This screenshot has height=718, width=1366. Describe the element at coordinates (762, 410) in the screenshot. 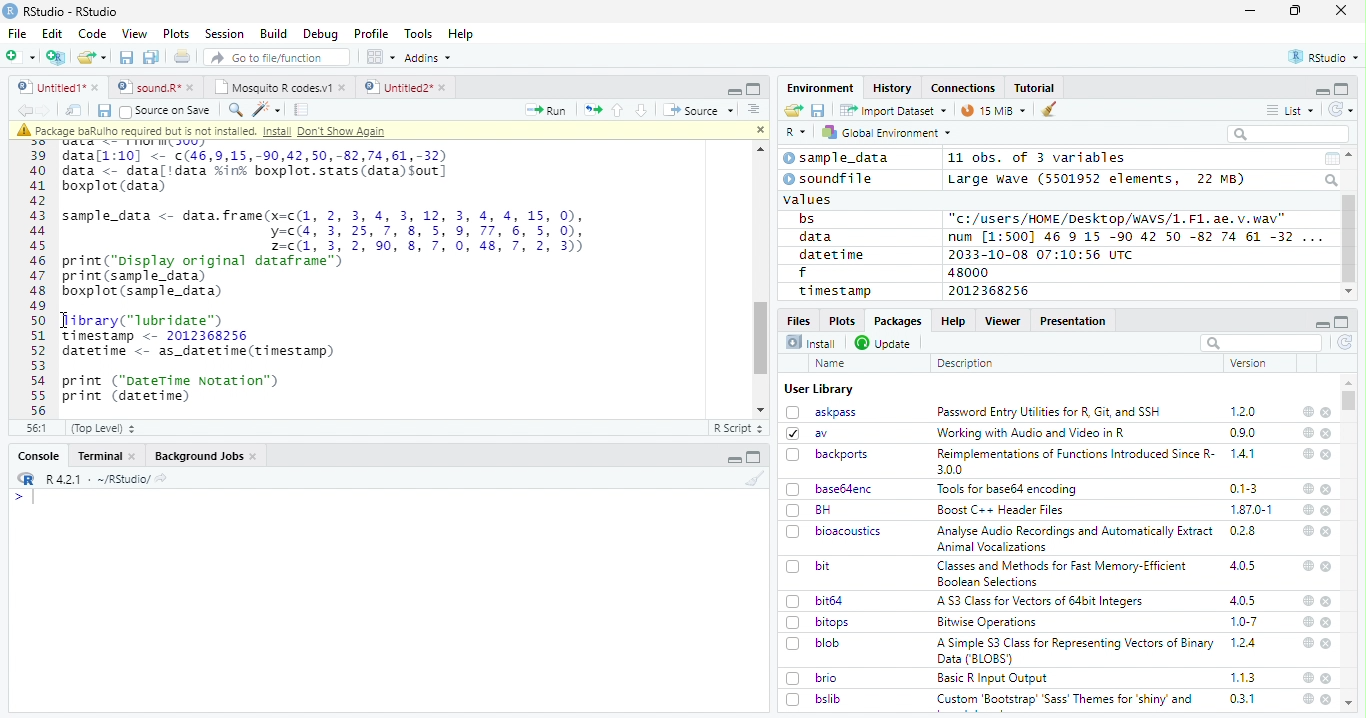

I see `scroll down` at that location.